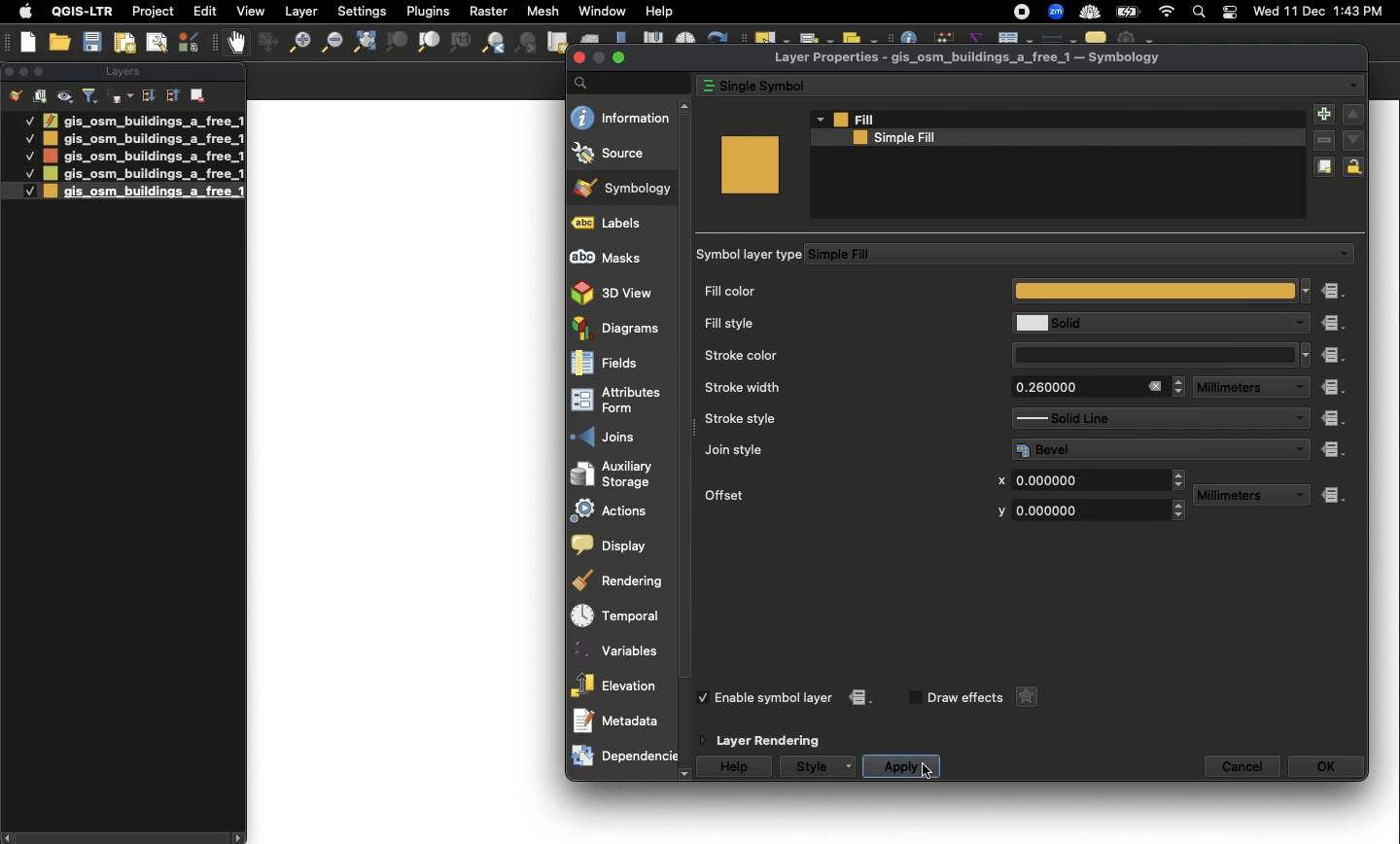  I want to click on Symbol layer type, so click(752, 255).